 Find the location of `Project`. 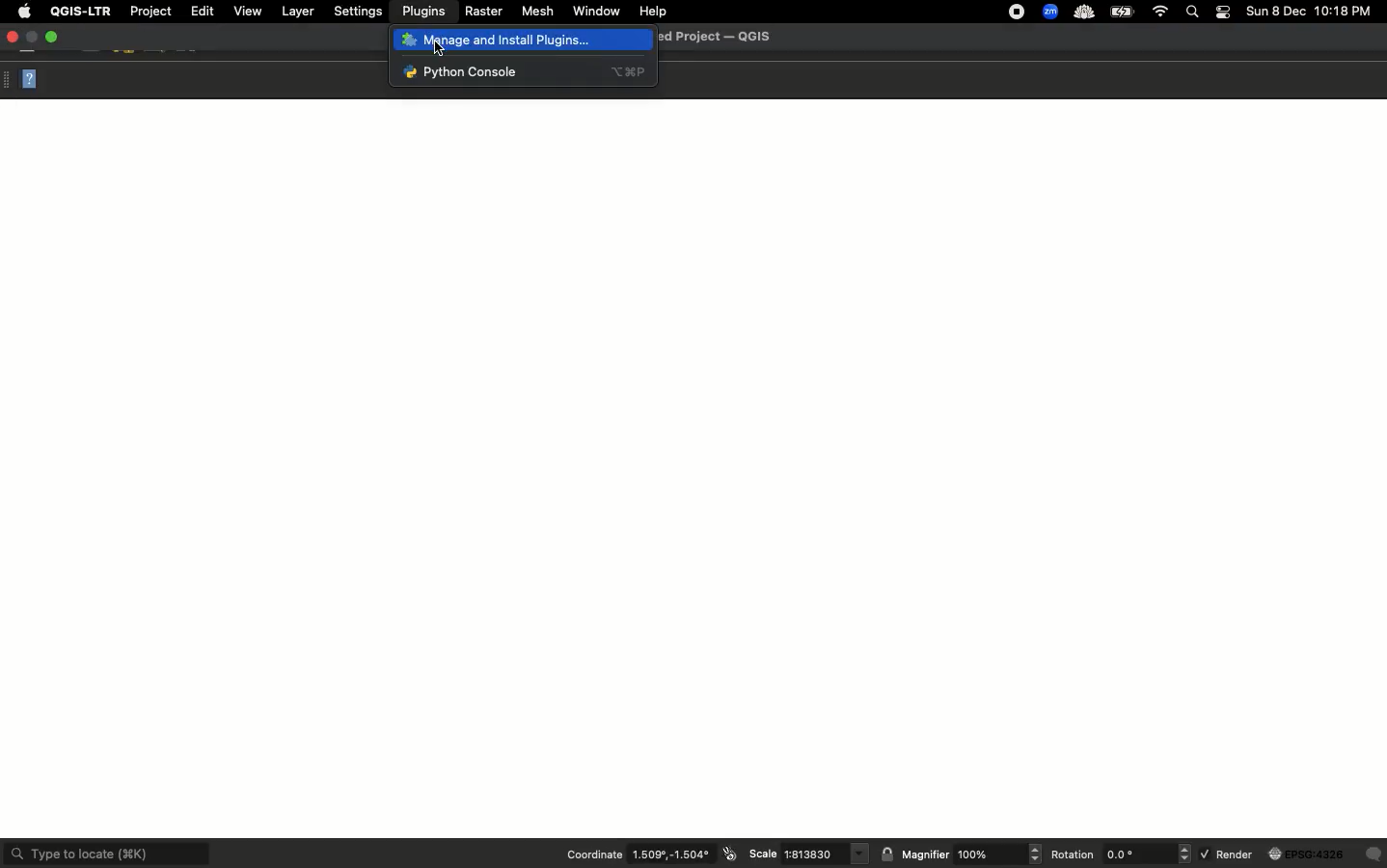

Project is located at coordinates (150, 11).